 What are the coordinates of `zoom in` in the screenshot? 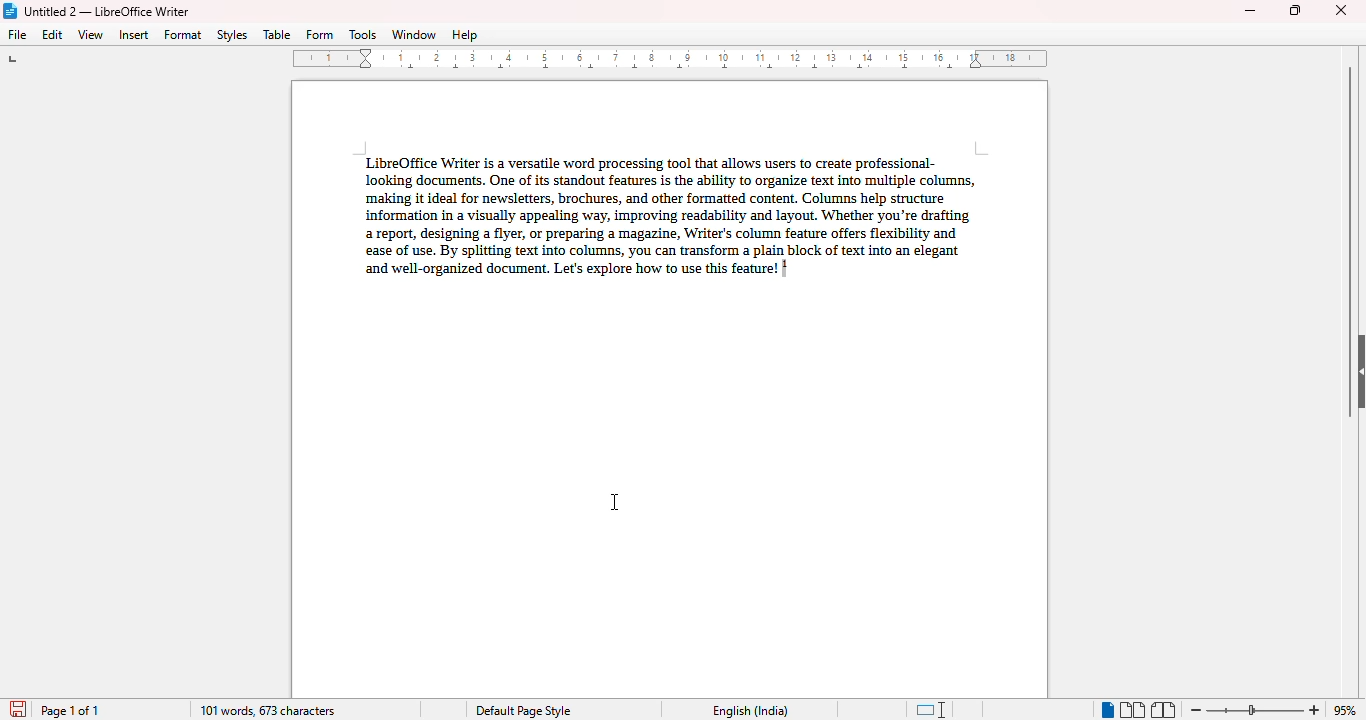 It's located at (1315, 709).